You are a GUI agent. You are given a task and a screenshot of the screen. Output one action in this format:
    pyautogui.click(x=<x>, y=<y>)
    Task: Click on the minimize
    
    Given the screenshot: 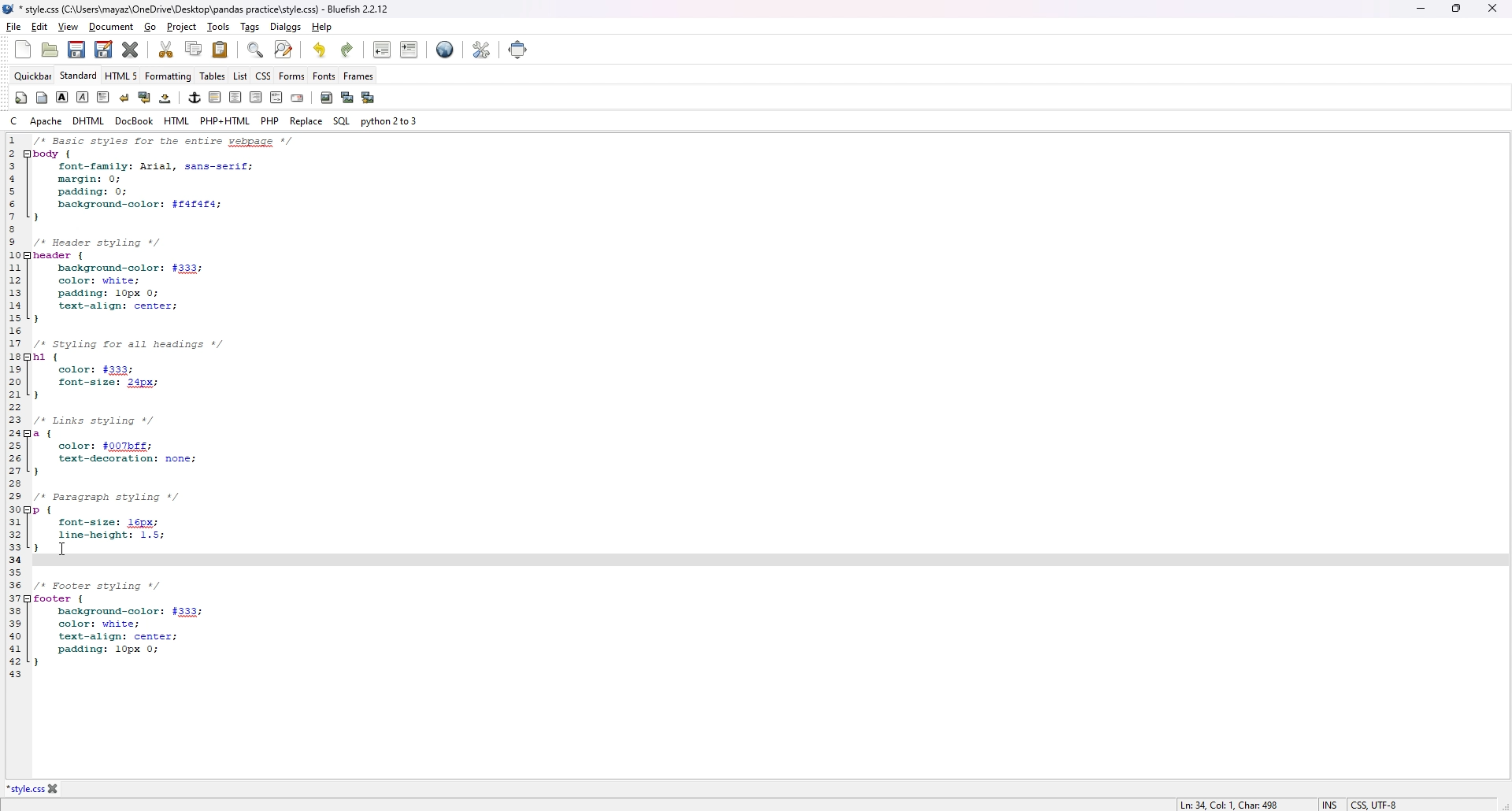 What is the action you would take?
    pyautogui.click(x=1420, y=9)
    